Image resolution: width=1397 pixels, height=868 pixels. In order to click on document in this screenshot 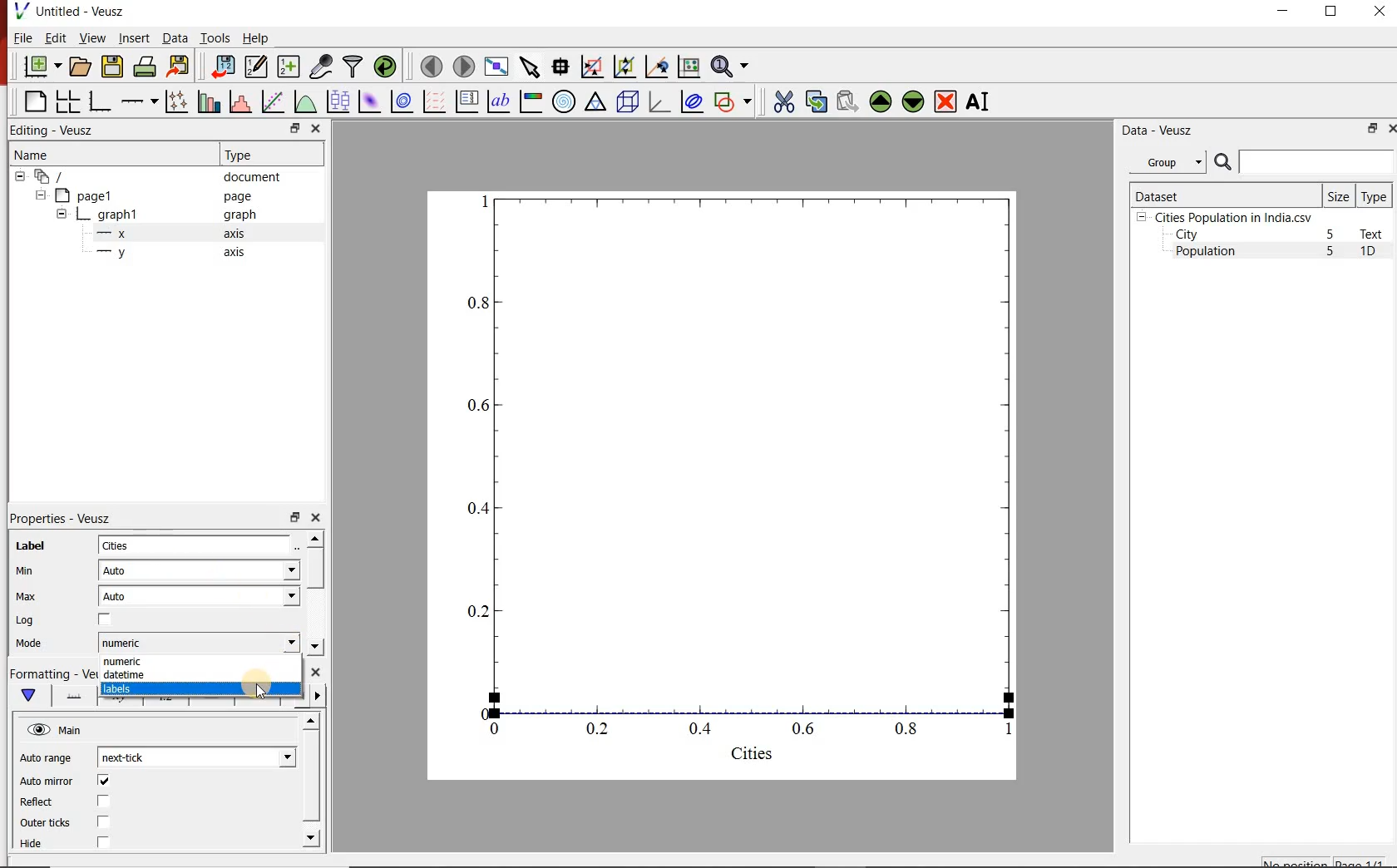, I will do `click(153, 175)`.